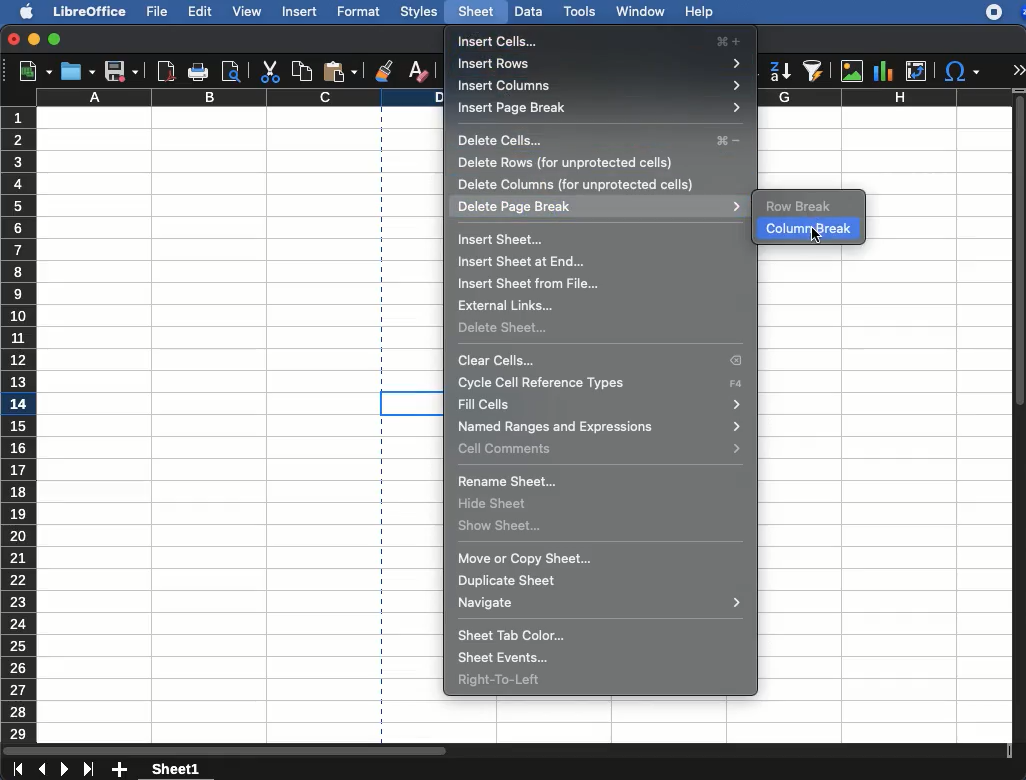 The width and height of the screenshot is (1026, 780). I want to click on view, so click(244, 14).